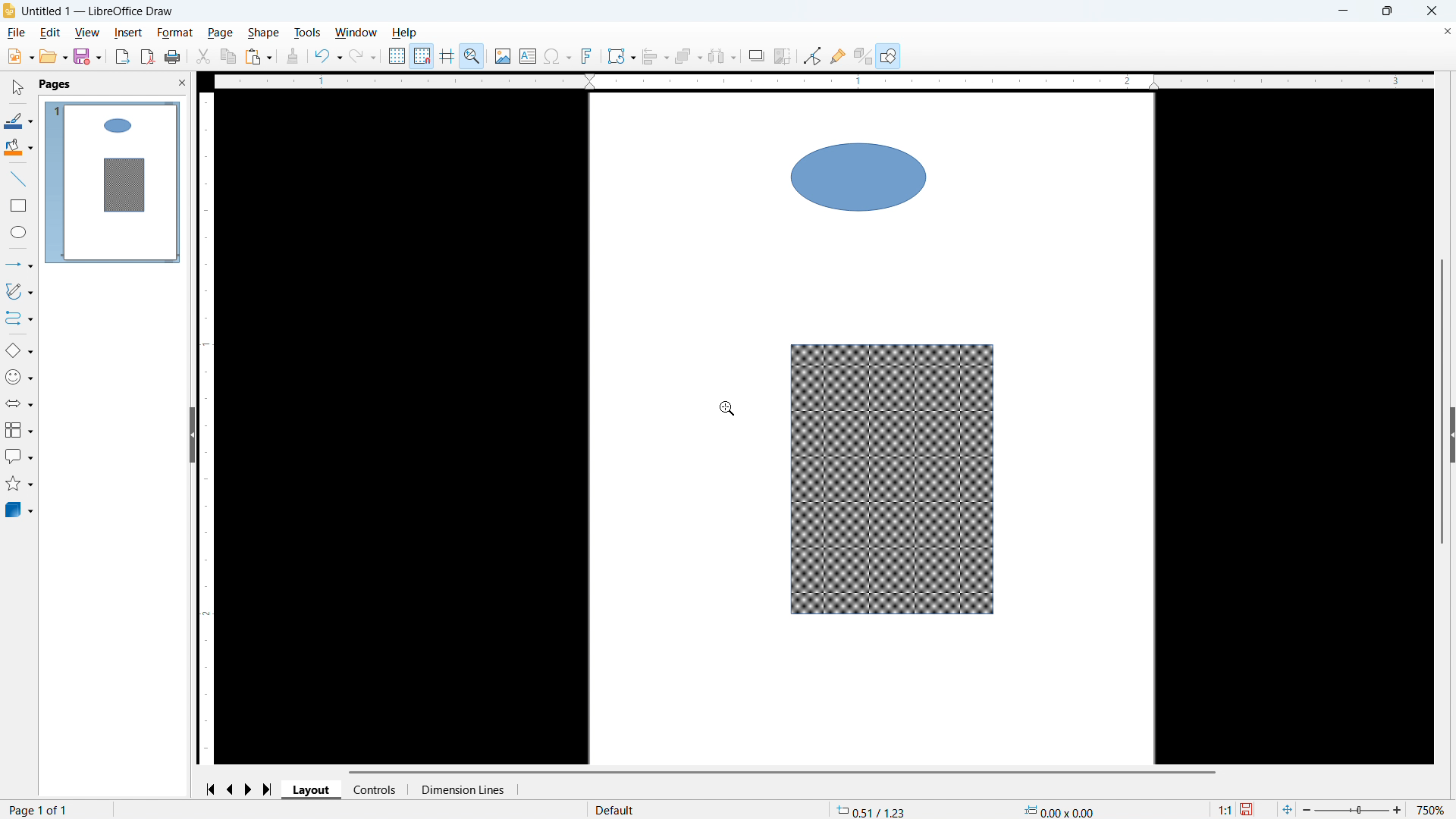 The image size is (1456, 819). What do you see at coordinates (20, 484) in the screenshot?
I see `Stars and banners ` at bounding box center [20, 484].